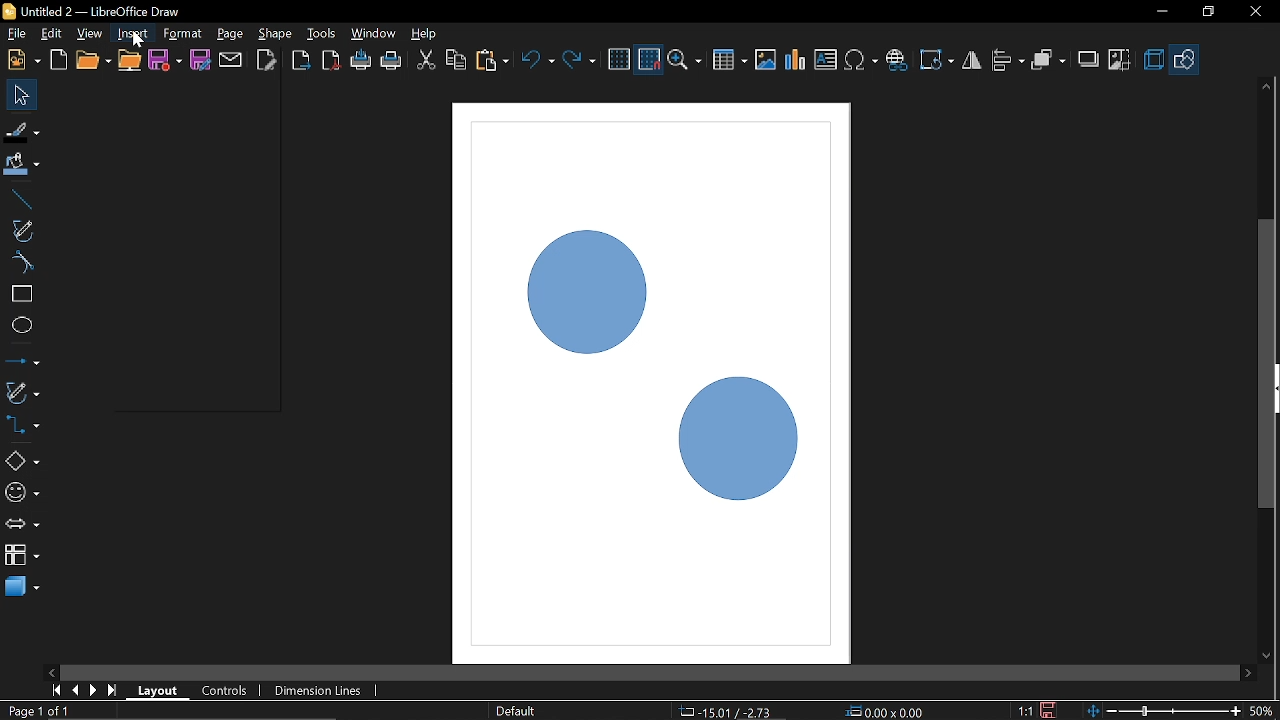  Describe the element at coordinates (1166, 709) in the screenshot. I see `Change zoom` at that location.